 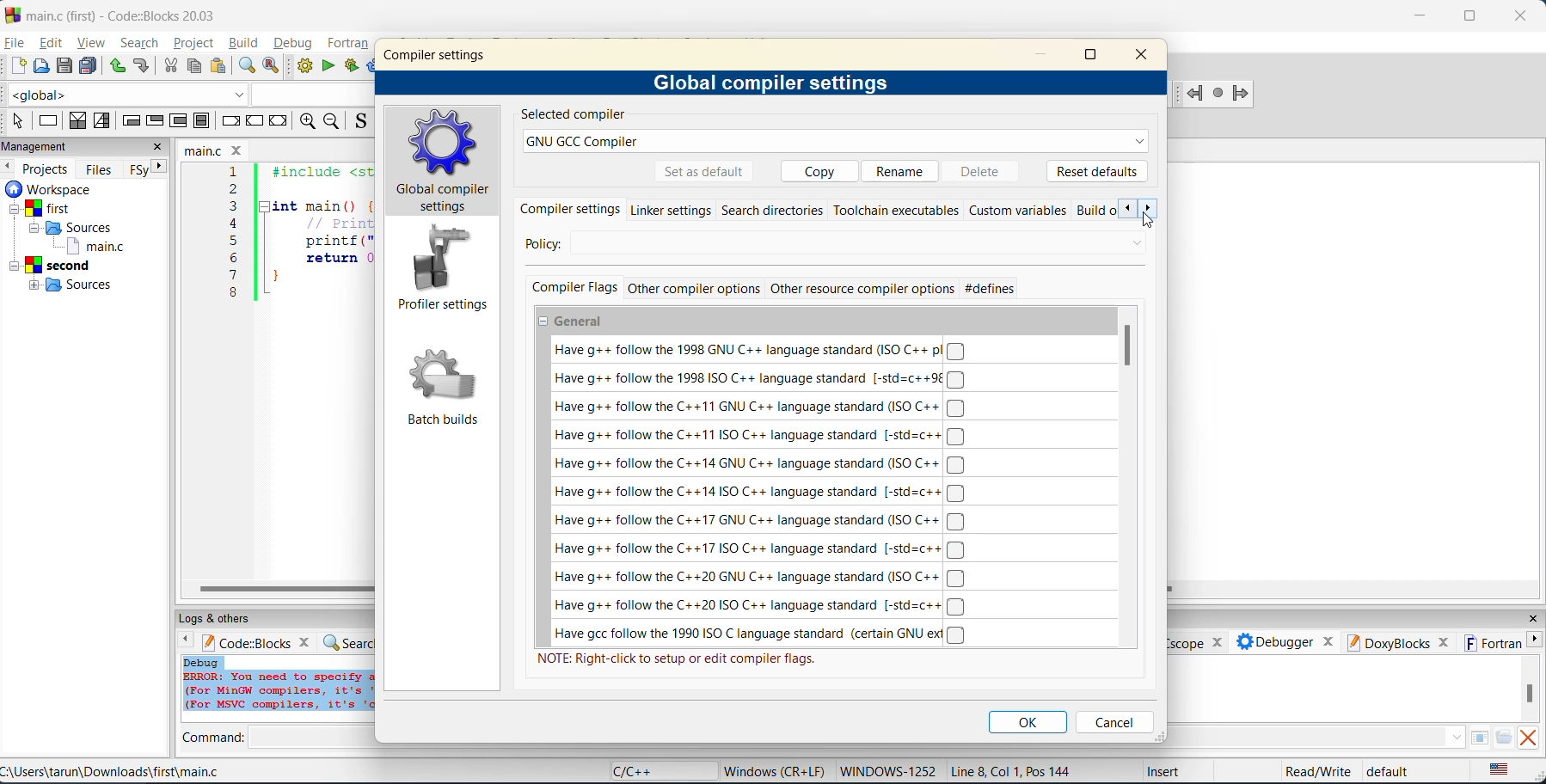 I want to click on close, so click(x=1146, y=56).